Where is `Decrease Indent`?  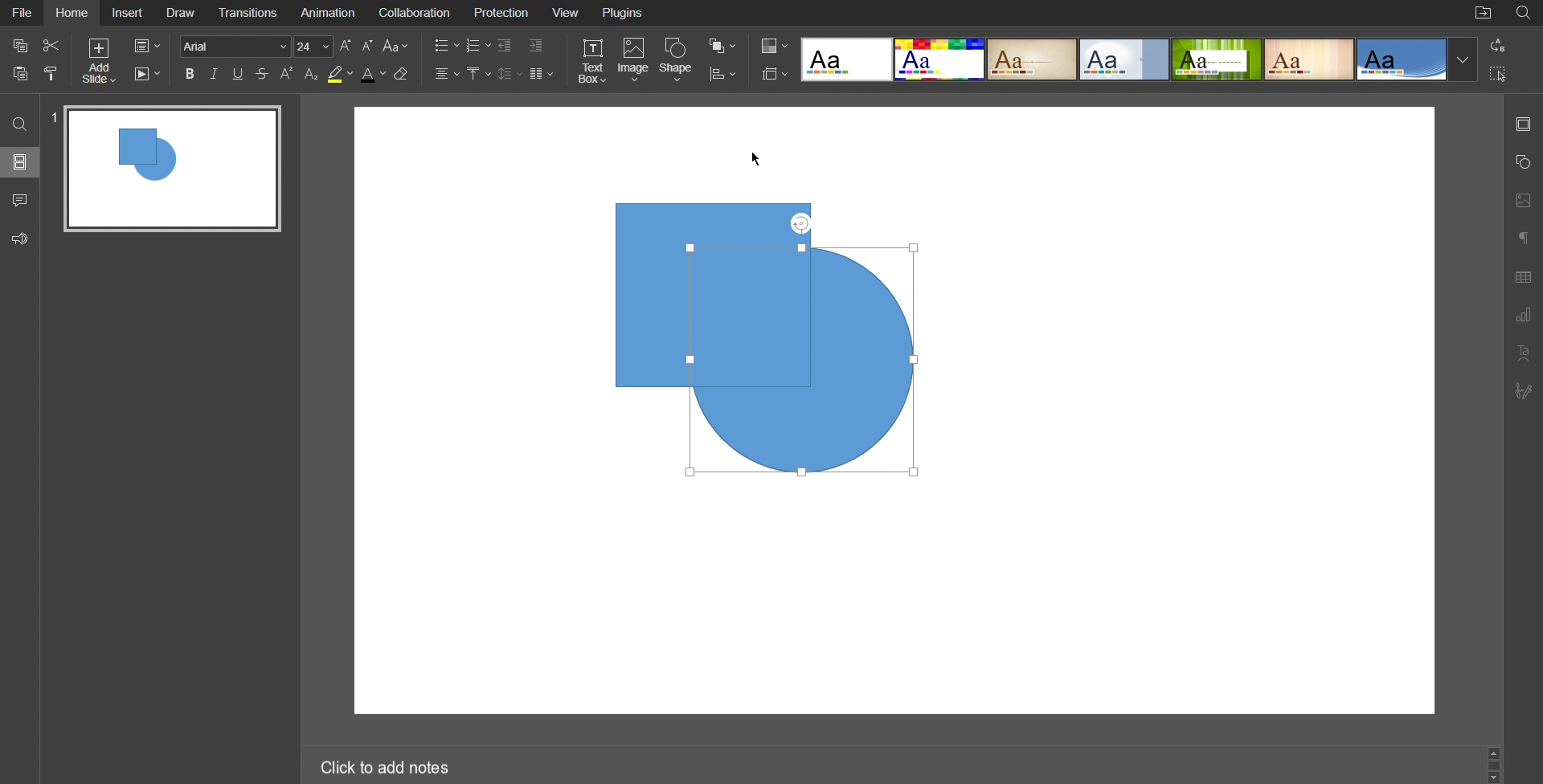
Decrease Indent is located at coordinates (506, 46).